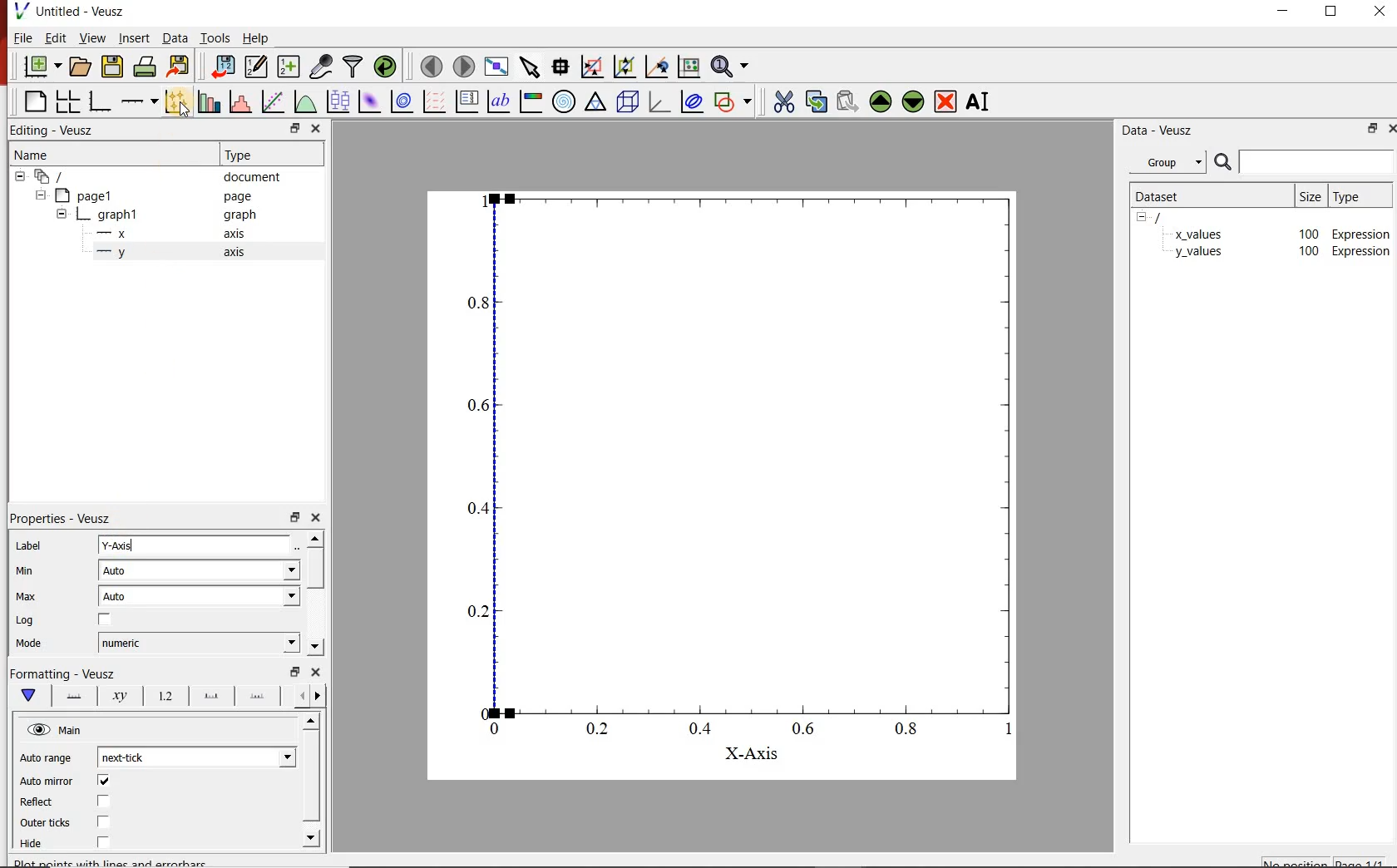  Describe the element at coordinates (250, 177) in the screenshot. I see `document` at that location.